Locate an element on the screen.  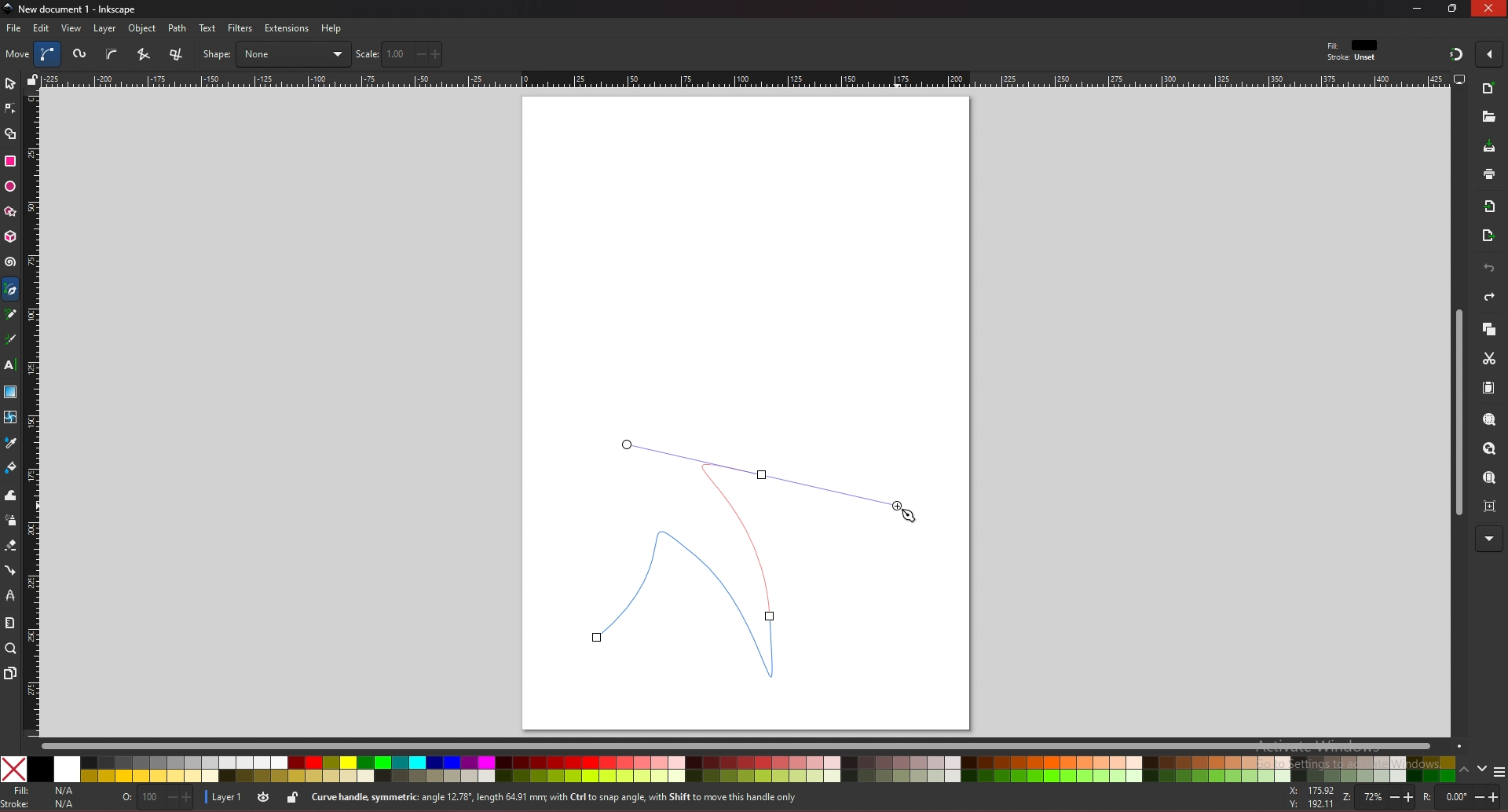
eraser is located at coordinates (10, 546).